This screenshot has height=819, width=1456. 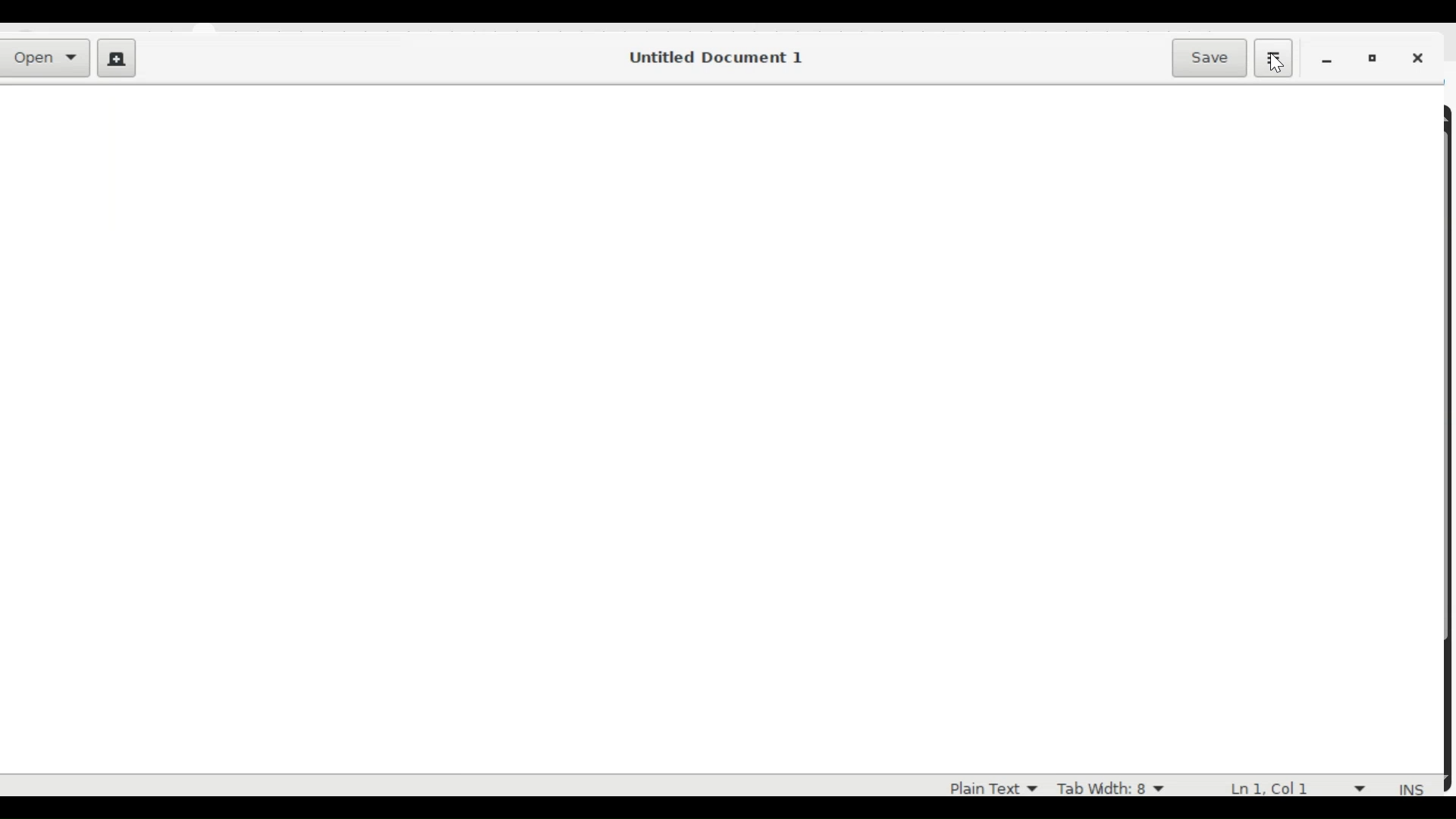 I want to click on plan Text, so click(x=984, y=786).